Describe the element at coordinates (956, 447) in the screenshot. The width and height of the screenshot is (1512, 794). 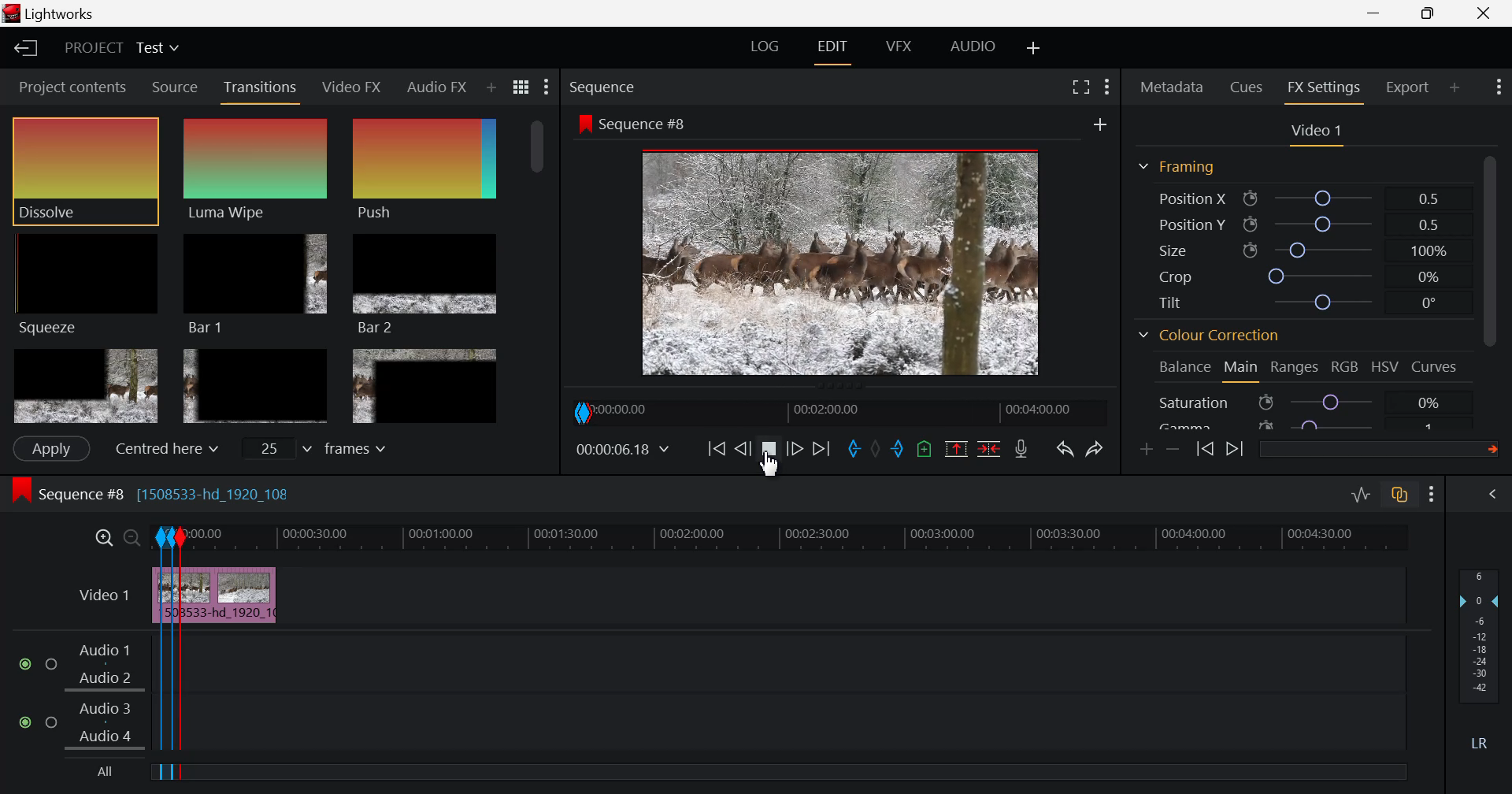
I see `Remove the marked section` at that location.